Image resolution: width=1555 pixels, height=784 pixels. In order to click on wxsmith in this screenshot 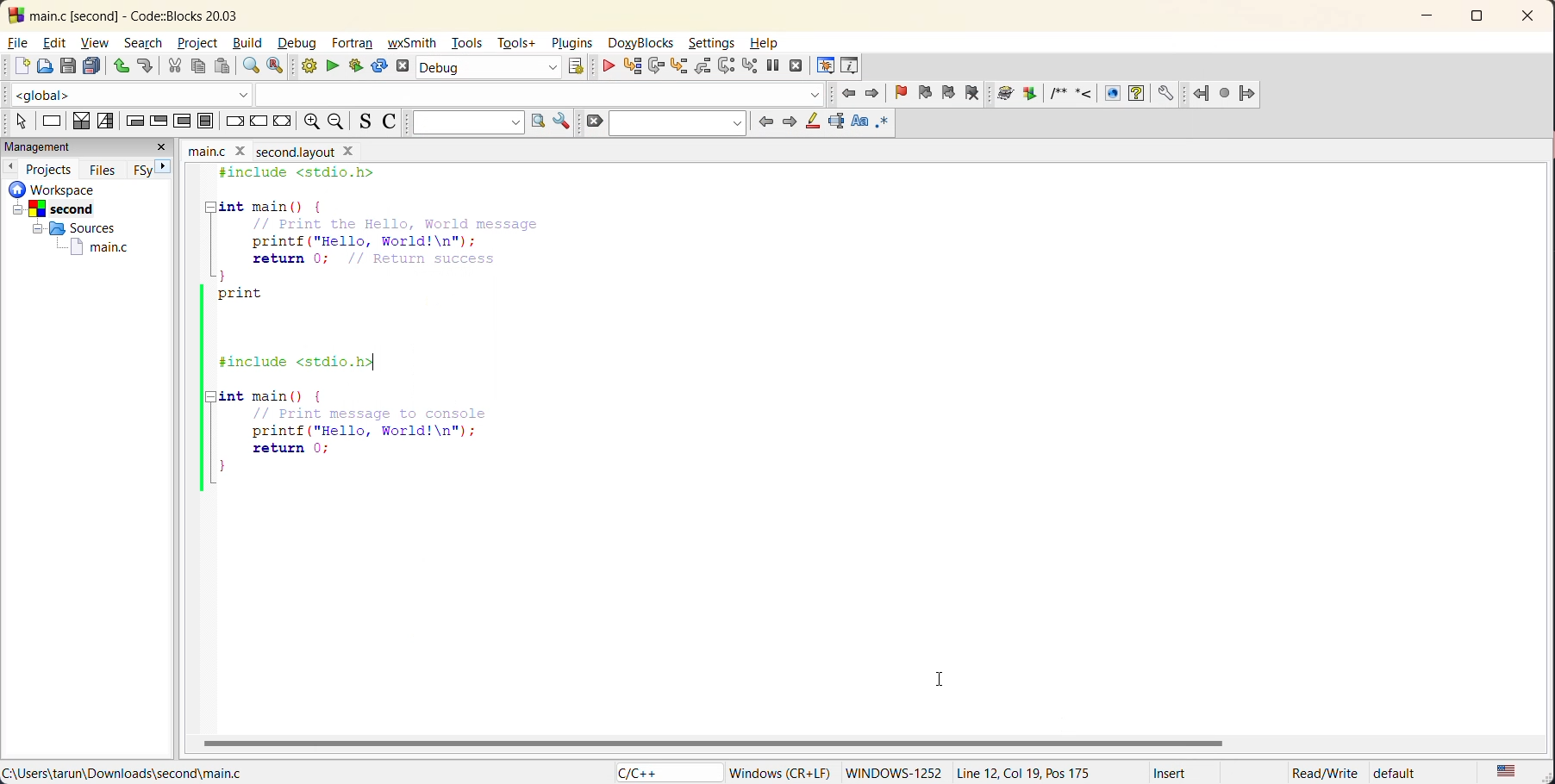, I will do `click(413, 44)`.